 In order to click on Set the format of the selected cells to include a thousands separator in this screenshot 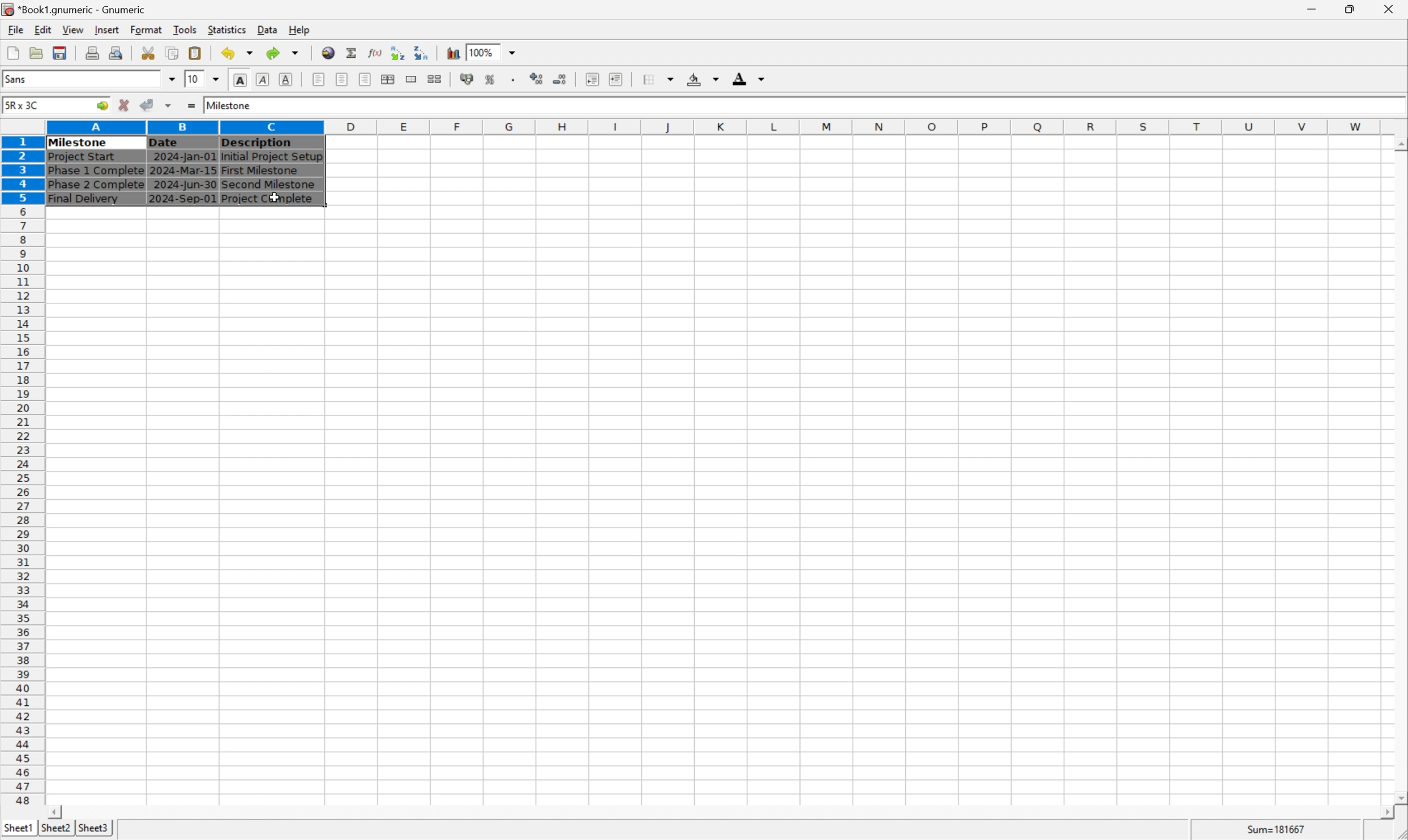, I will do `click(516, 79)`.